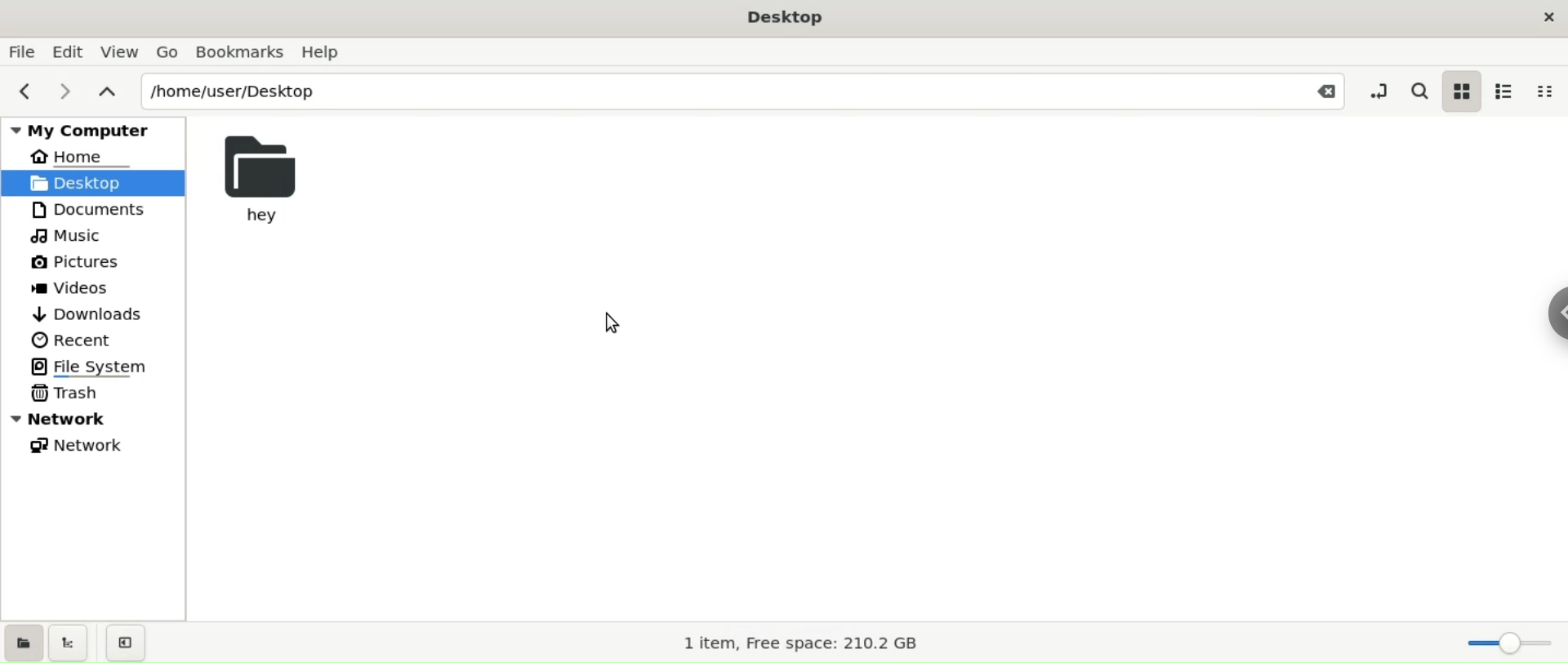  What do you see at coordinates (816, 644) in the screenshot?
I see `1 item, Free space: 210.2 GB` at bounding box center [816, 644].